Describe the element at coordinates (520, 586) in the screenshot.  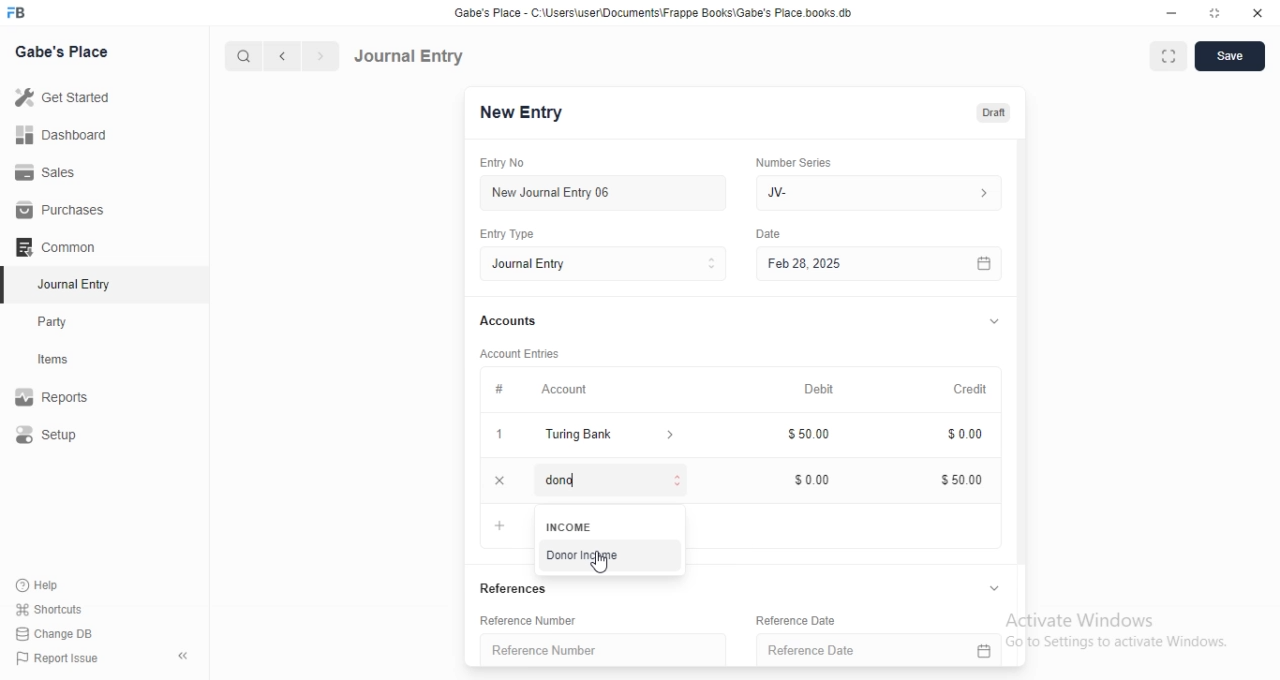
I see `References` at that location.